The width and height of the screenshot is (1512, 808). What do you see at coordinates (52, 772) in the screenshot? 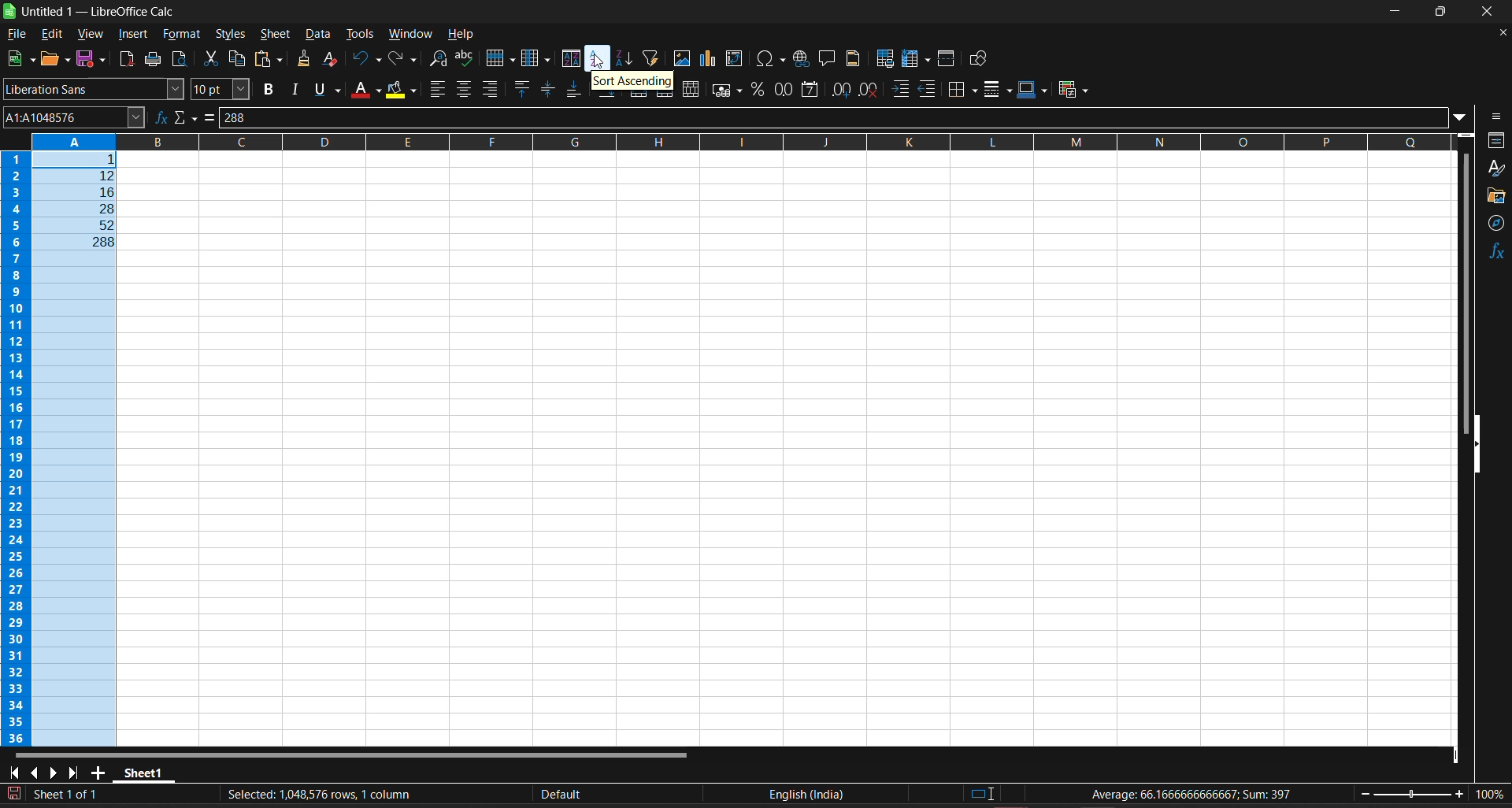
I see `scroll to next sheet` at bounding box center [52, 772].